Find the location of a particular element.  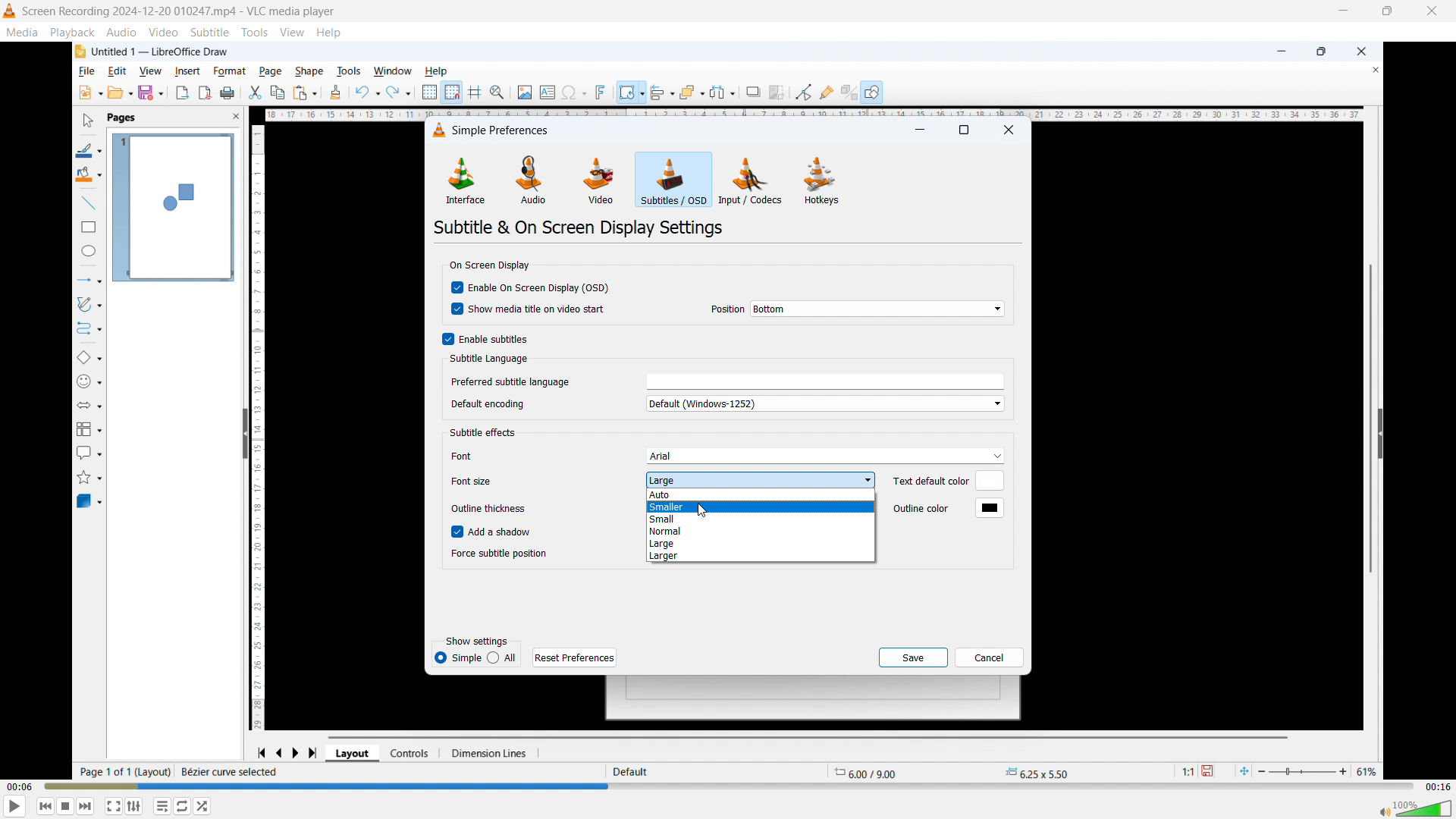

Toggle between loop all, one loop and no loop  is located at coordinates (163, 806).